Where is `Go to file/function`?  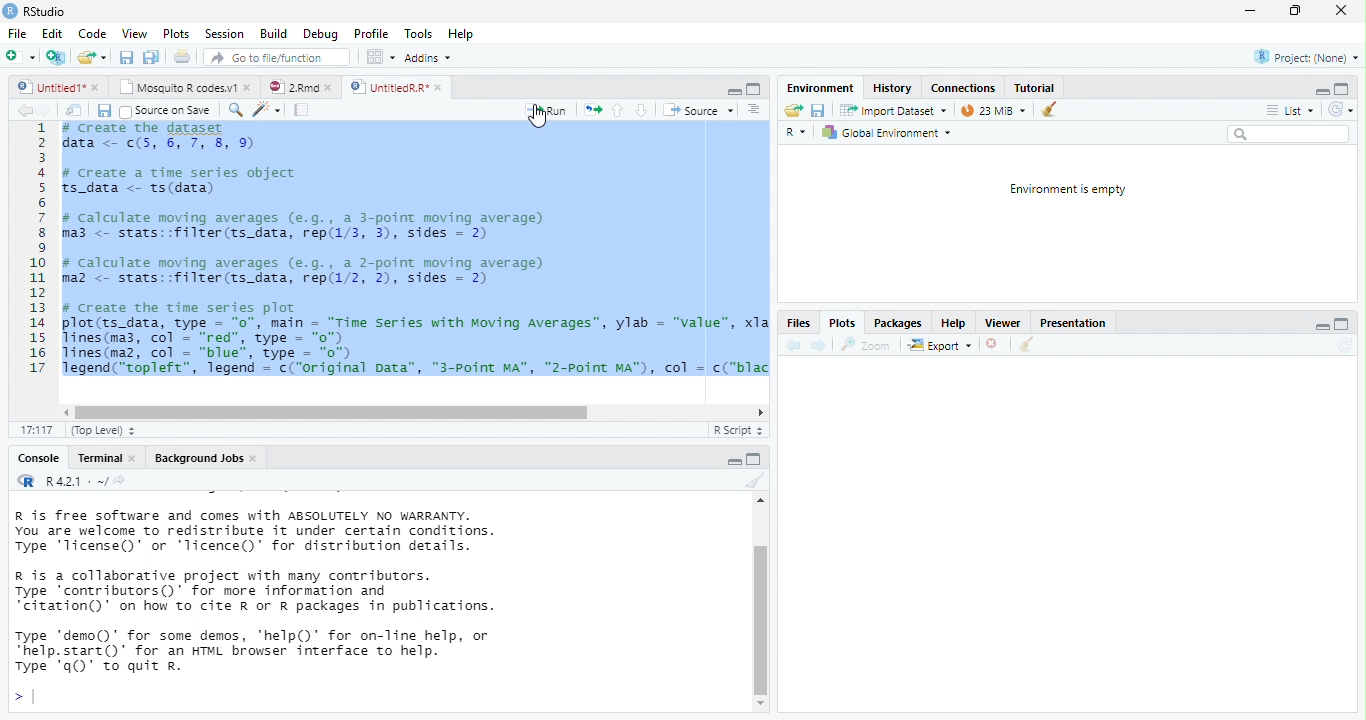
Go to file/function is located at coordinates (273, 57).